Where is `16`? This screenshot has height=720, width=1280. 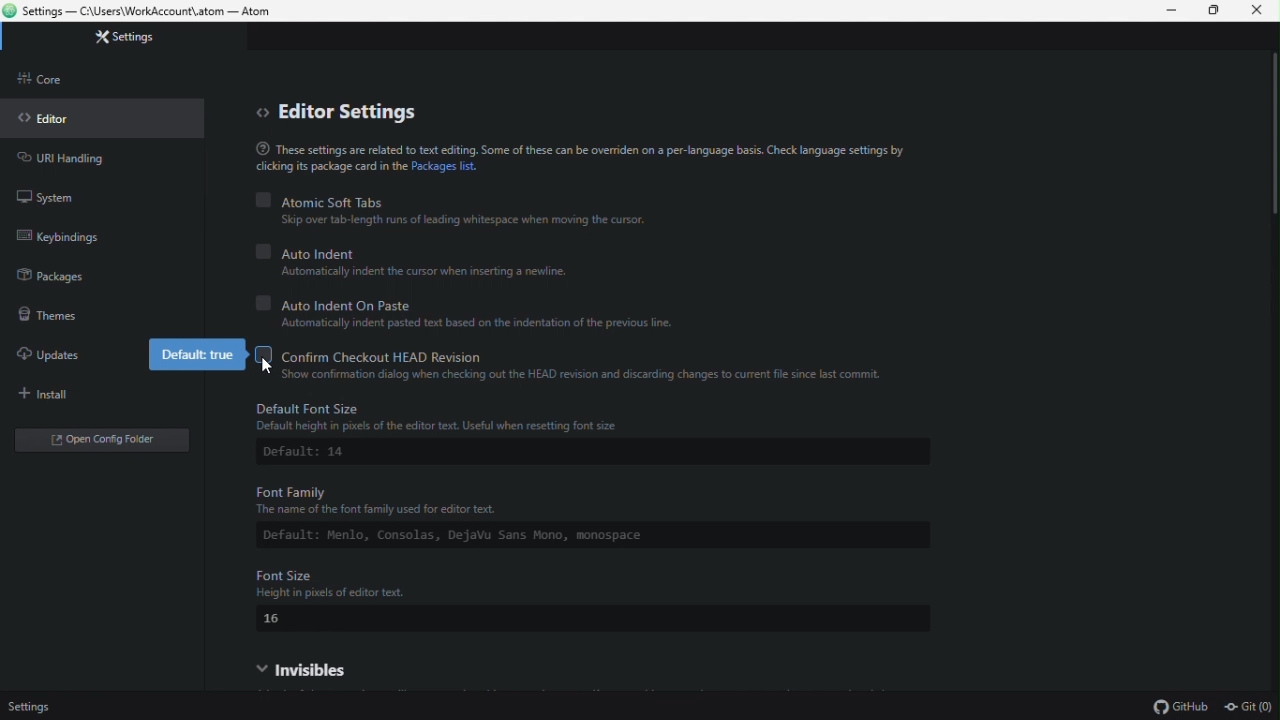
16 is located at coordinates (281, 618).